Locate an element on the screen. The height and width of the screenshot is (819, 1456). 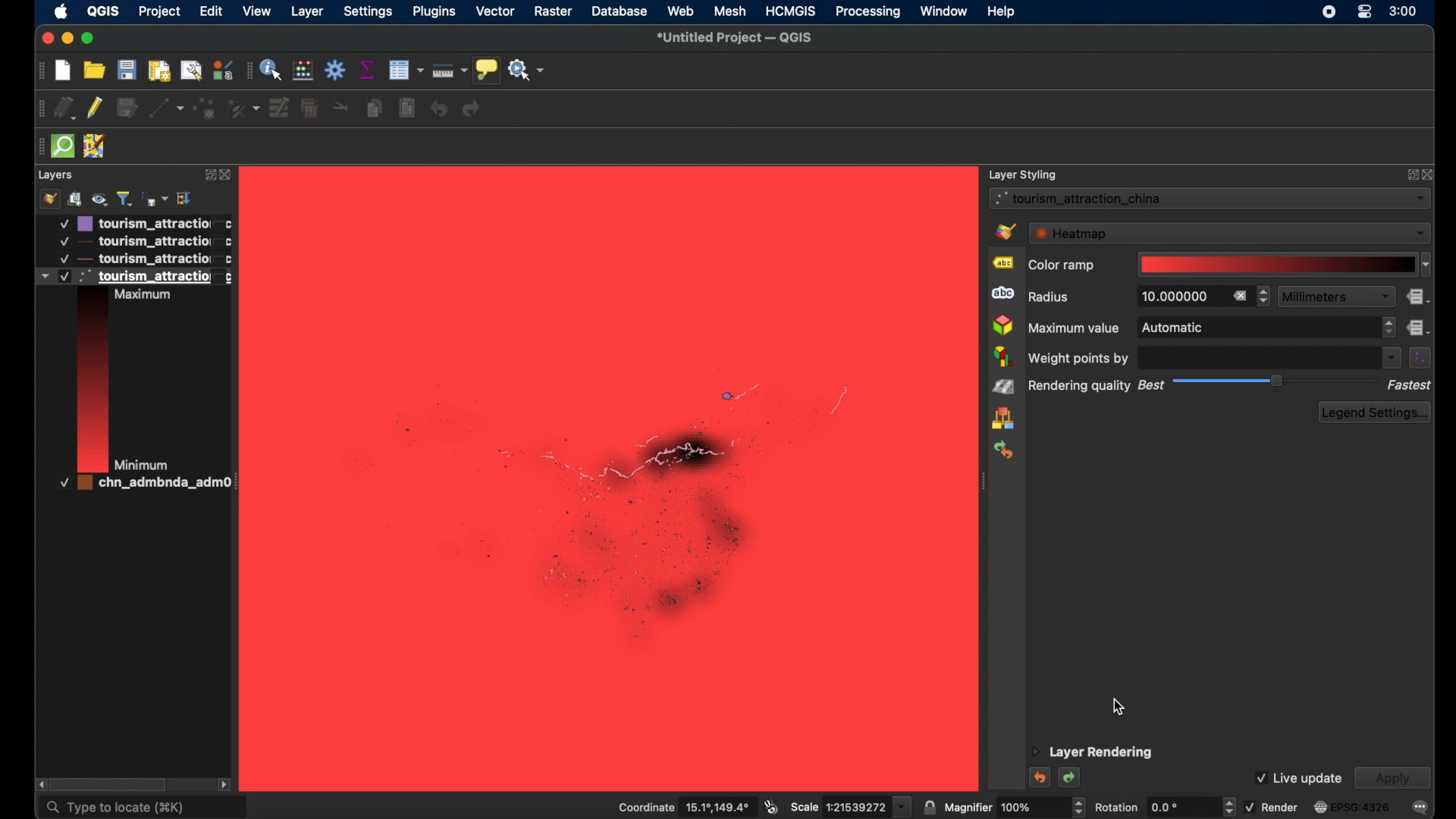
manage map theme is located at coordinates (100, 199).